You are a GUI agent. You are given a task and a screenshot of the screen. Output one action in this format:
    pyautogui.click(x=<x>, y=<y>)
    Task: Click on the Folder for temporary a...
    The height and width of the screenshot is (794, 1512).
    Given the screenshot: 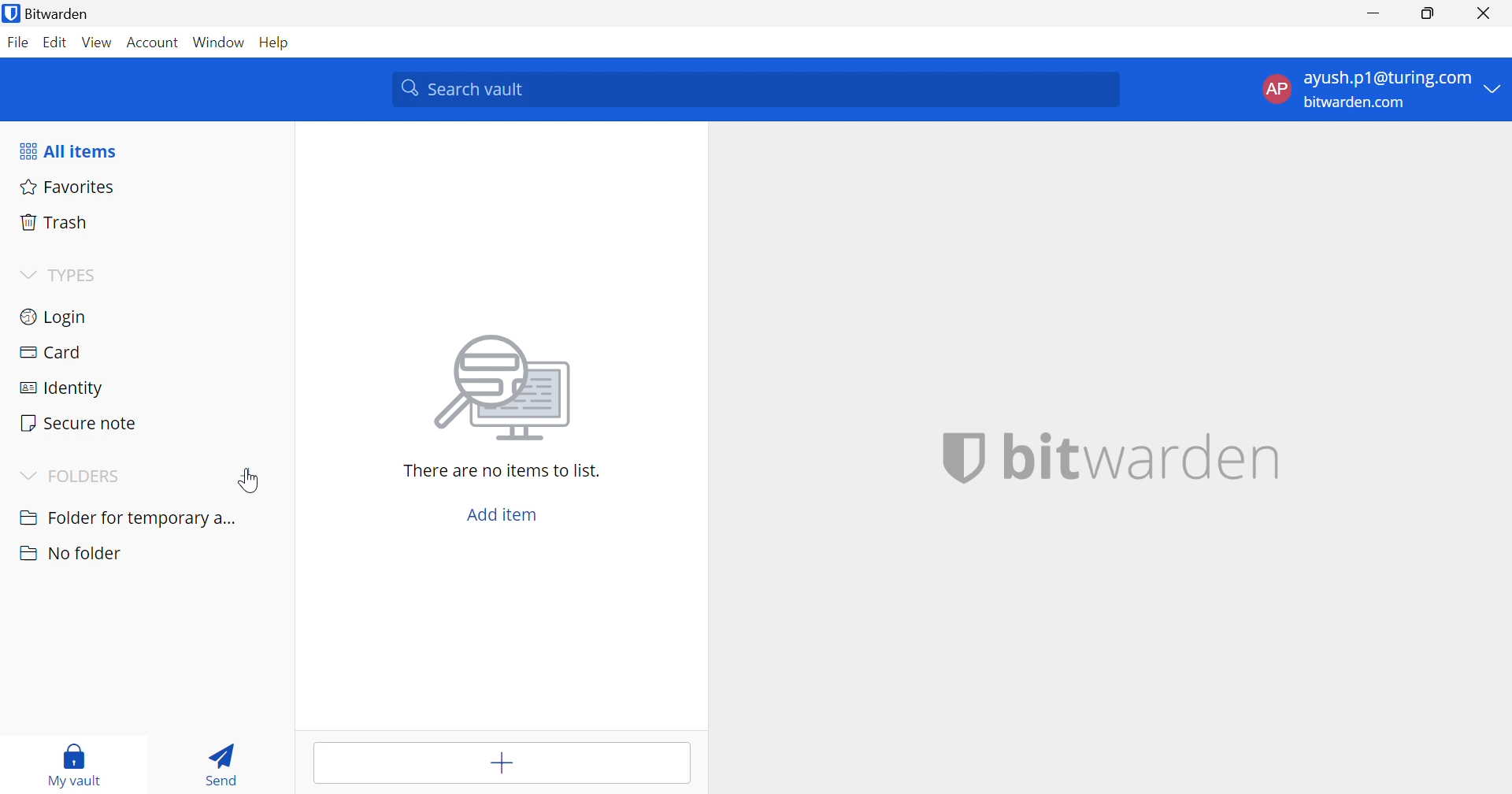 What is the action you would take?
    pyautogui.click(x=127, y=520)
    